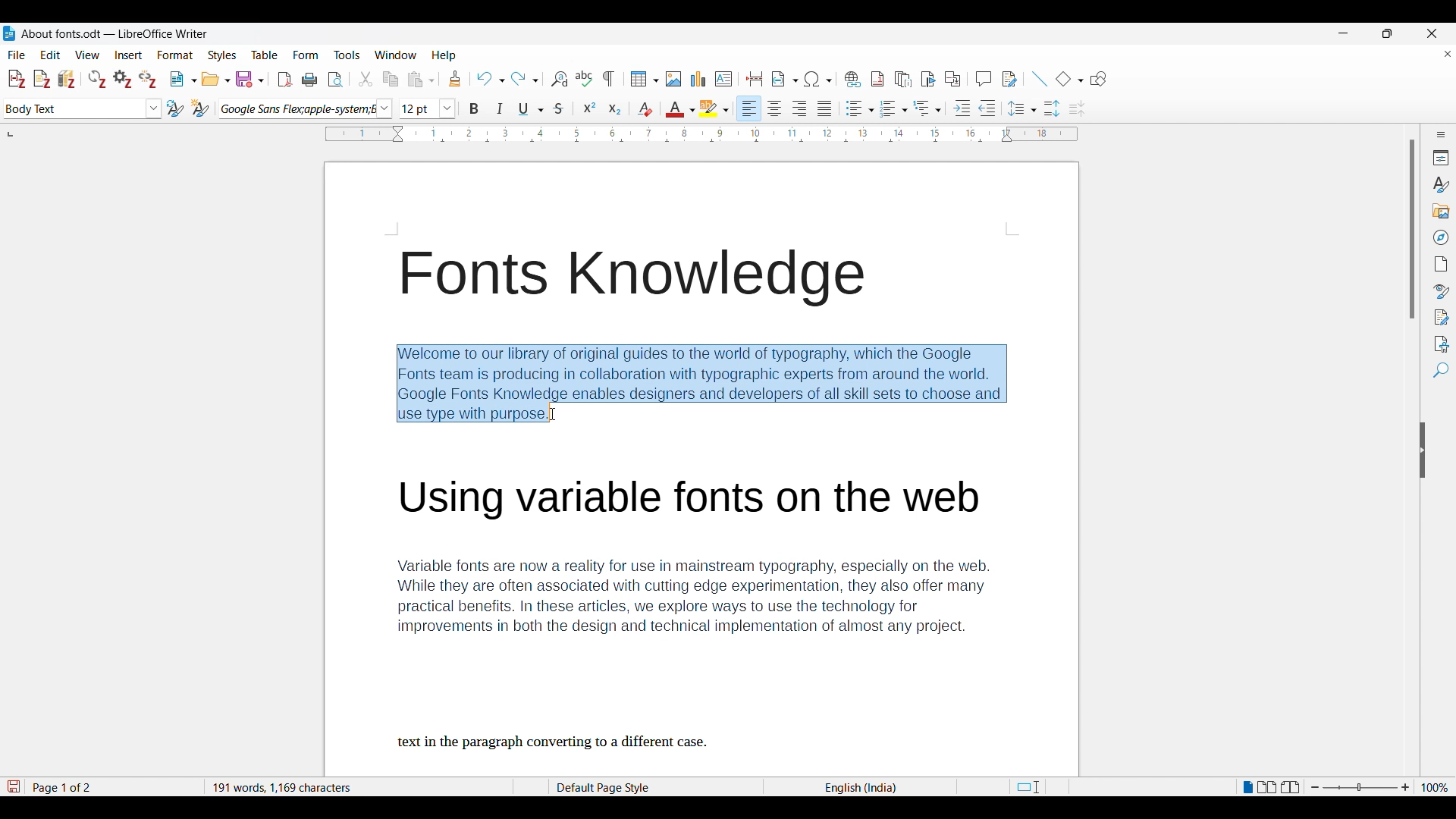  I want to click on Insert menu, so click(128, 55).